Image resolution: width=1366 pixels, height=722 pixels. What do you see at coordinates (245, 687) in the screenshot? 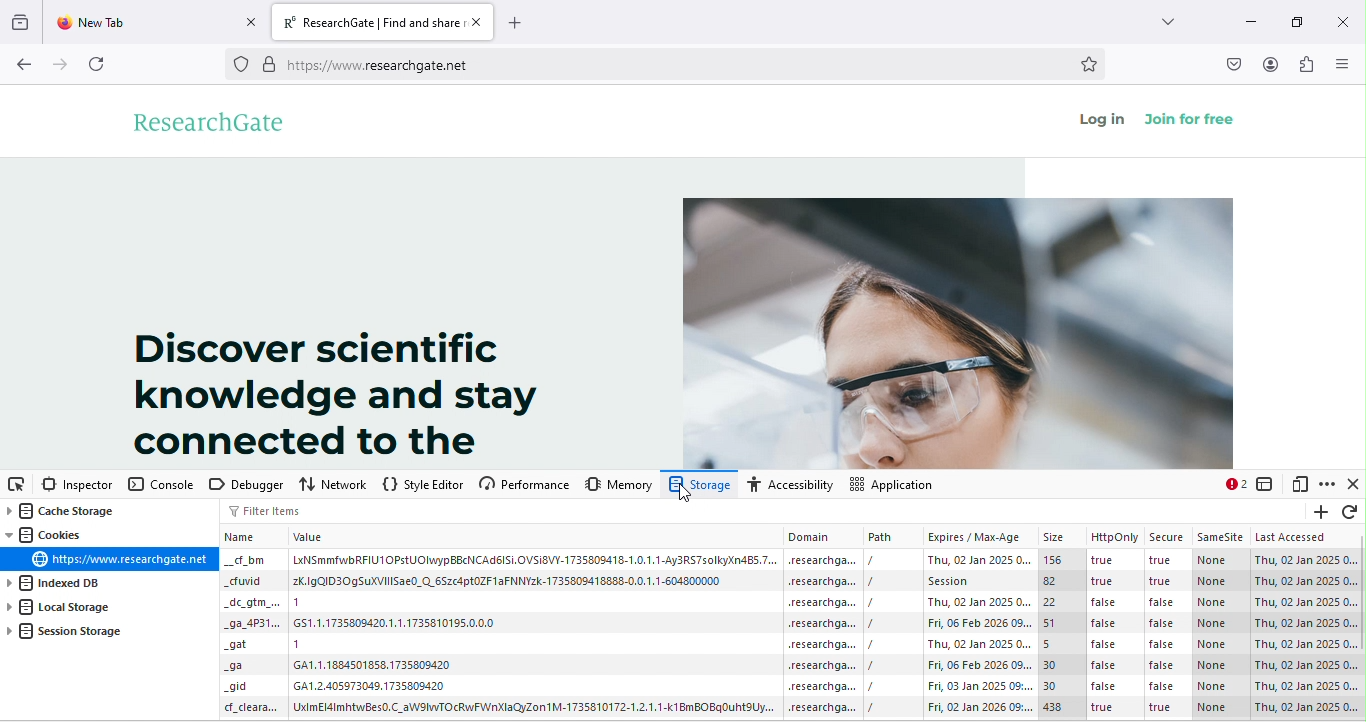
I see `` at bounding box center [245, 687].